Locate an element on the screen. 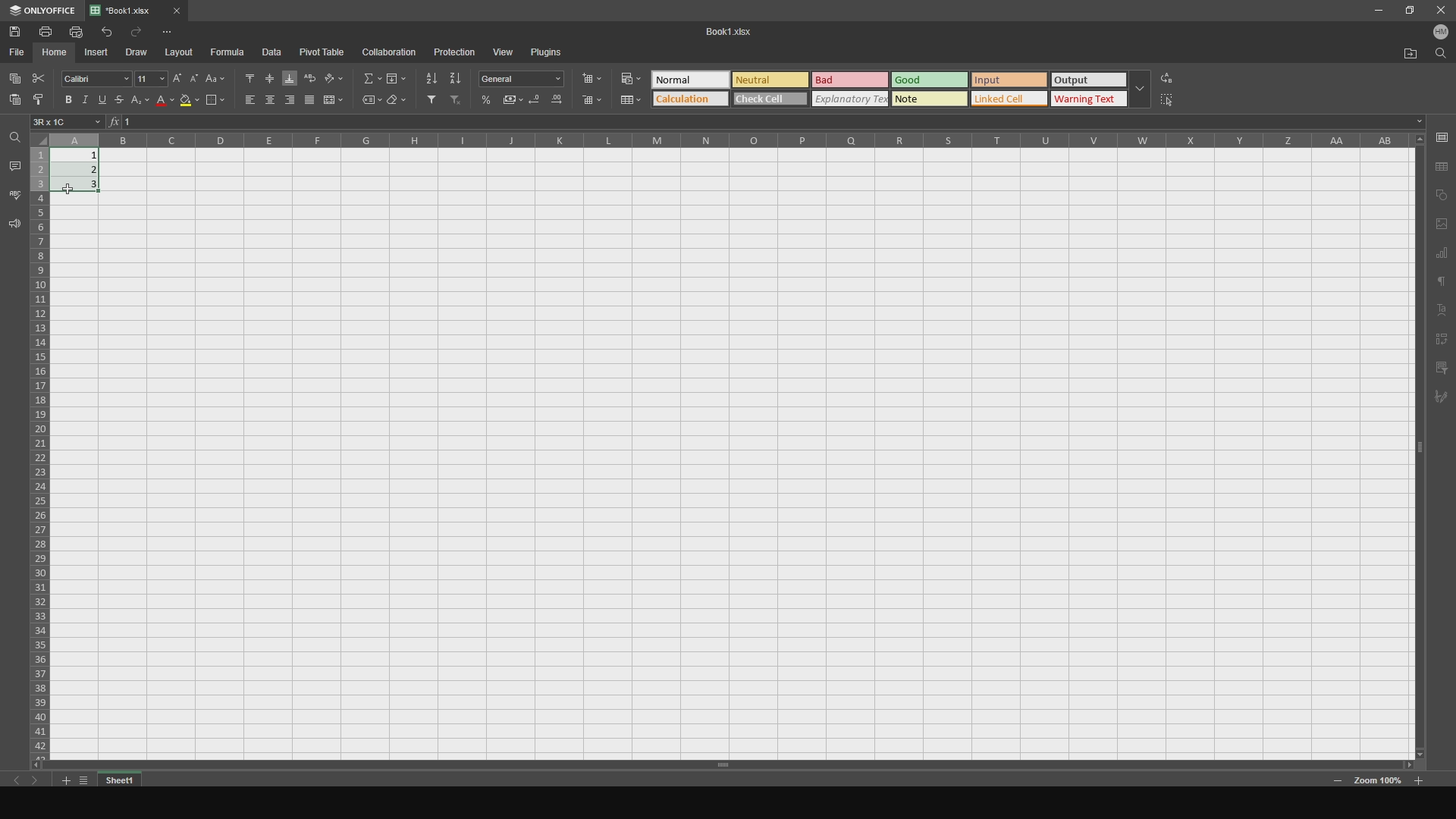  home is located at coordinates (56, 53).